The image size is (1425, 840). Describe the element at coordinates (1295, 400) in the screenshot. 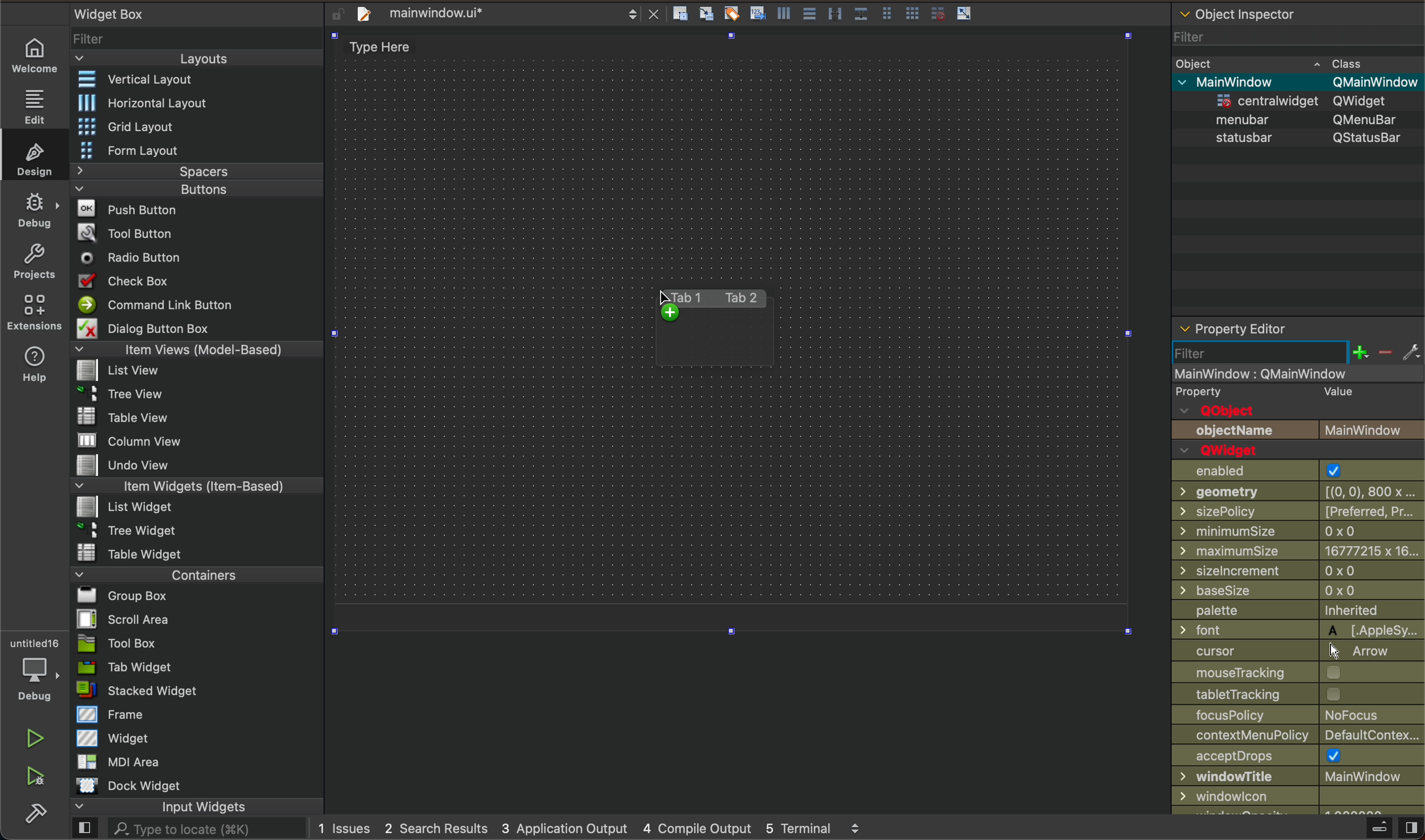

I see `qobject` at that location.